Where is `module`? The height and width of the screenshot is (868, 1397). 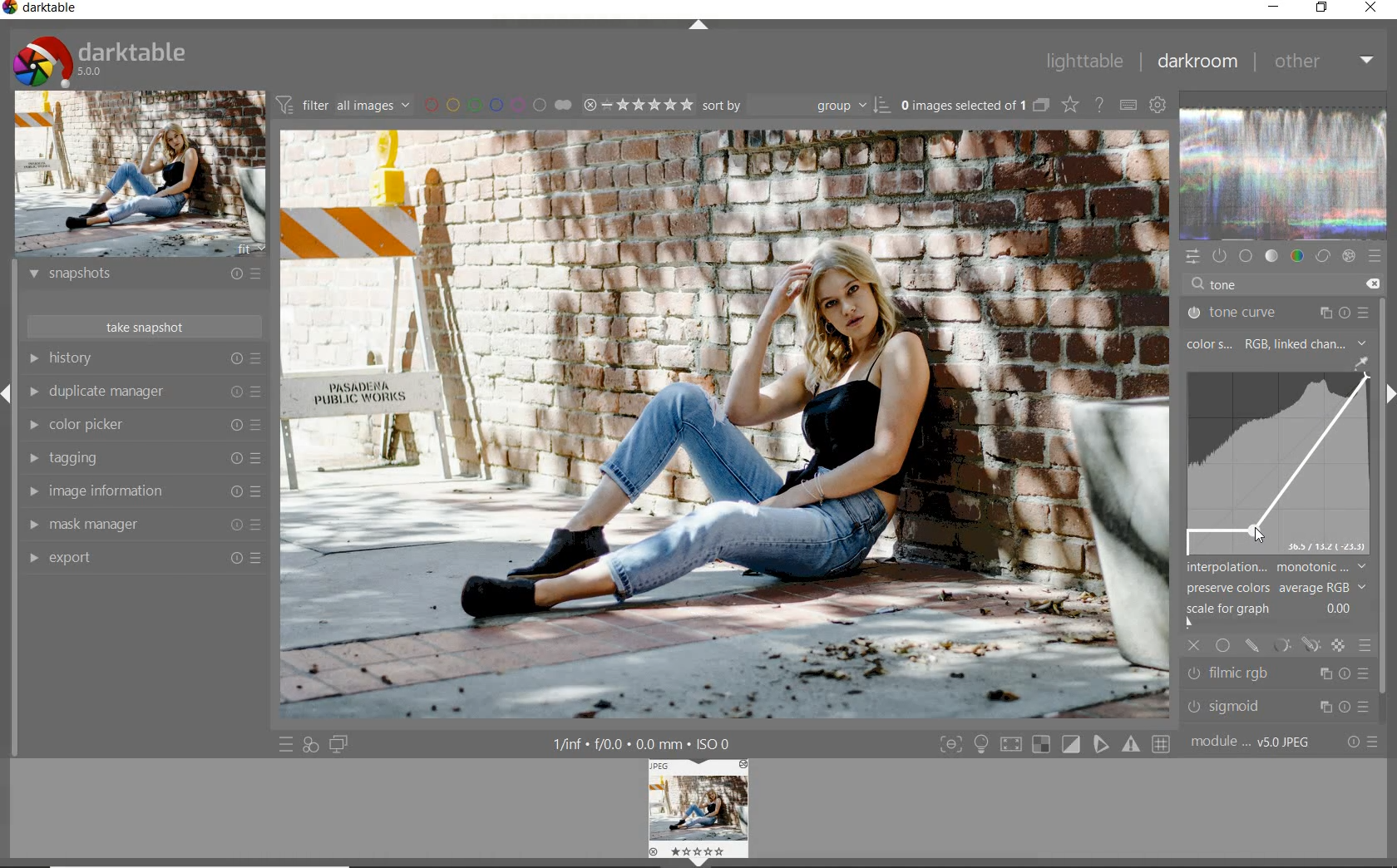 module is located at coordinates (1250, 742).